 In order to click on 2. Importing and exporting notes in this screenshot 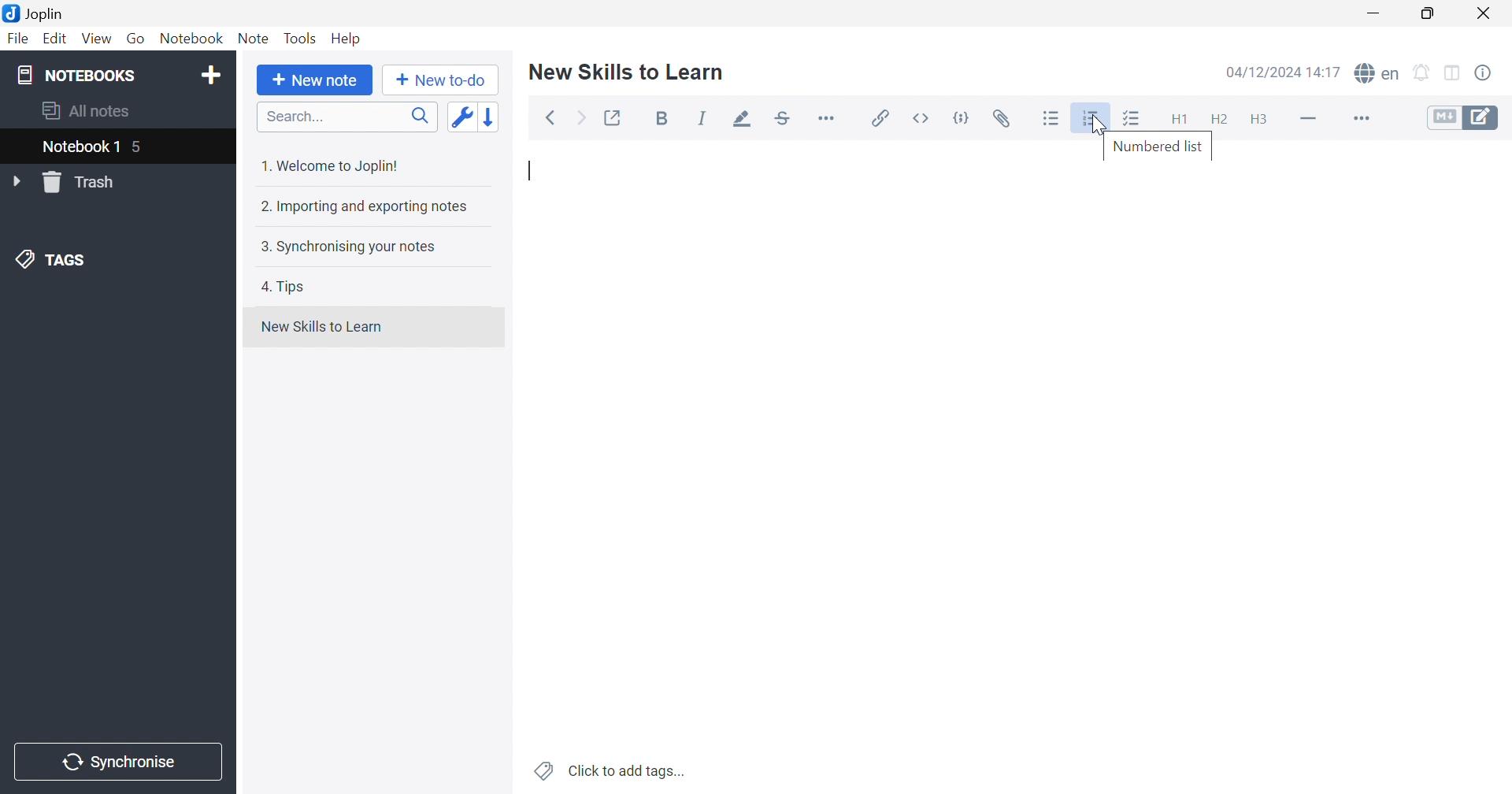, I will do `click(362, 206)`.